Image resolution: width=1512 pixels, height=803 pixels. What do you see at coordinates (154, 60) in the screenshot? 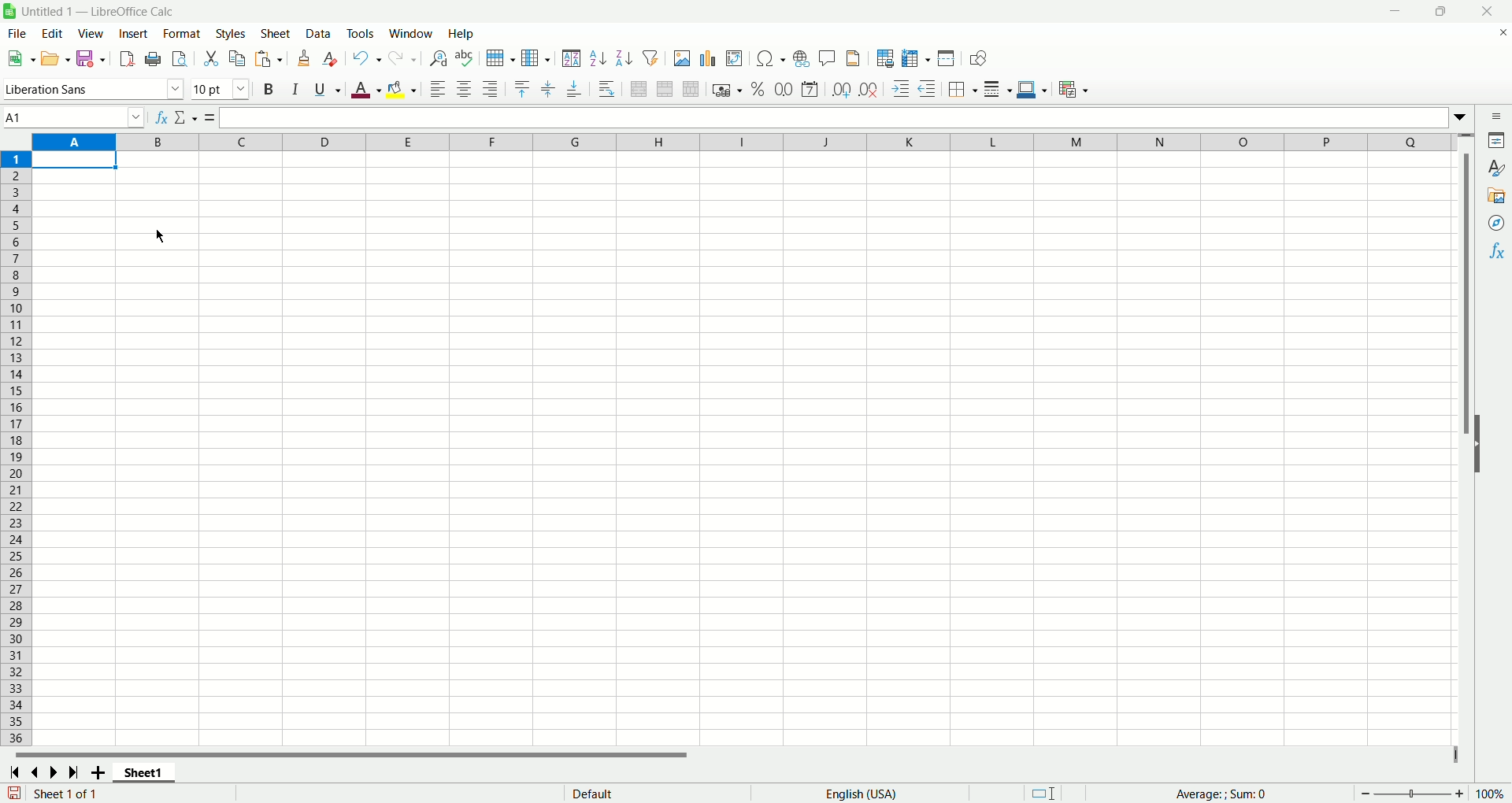
I see `print` at bounding box center [154, 60].